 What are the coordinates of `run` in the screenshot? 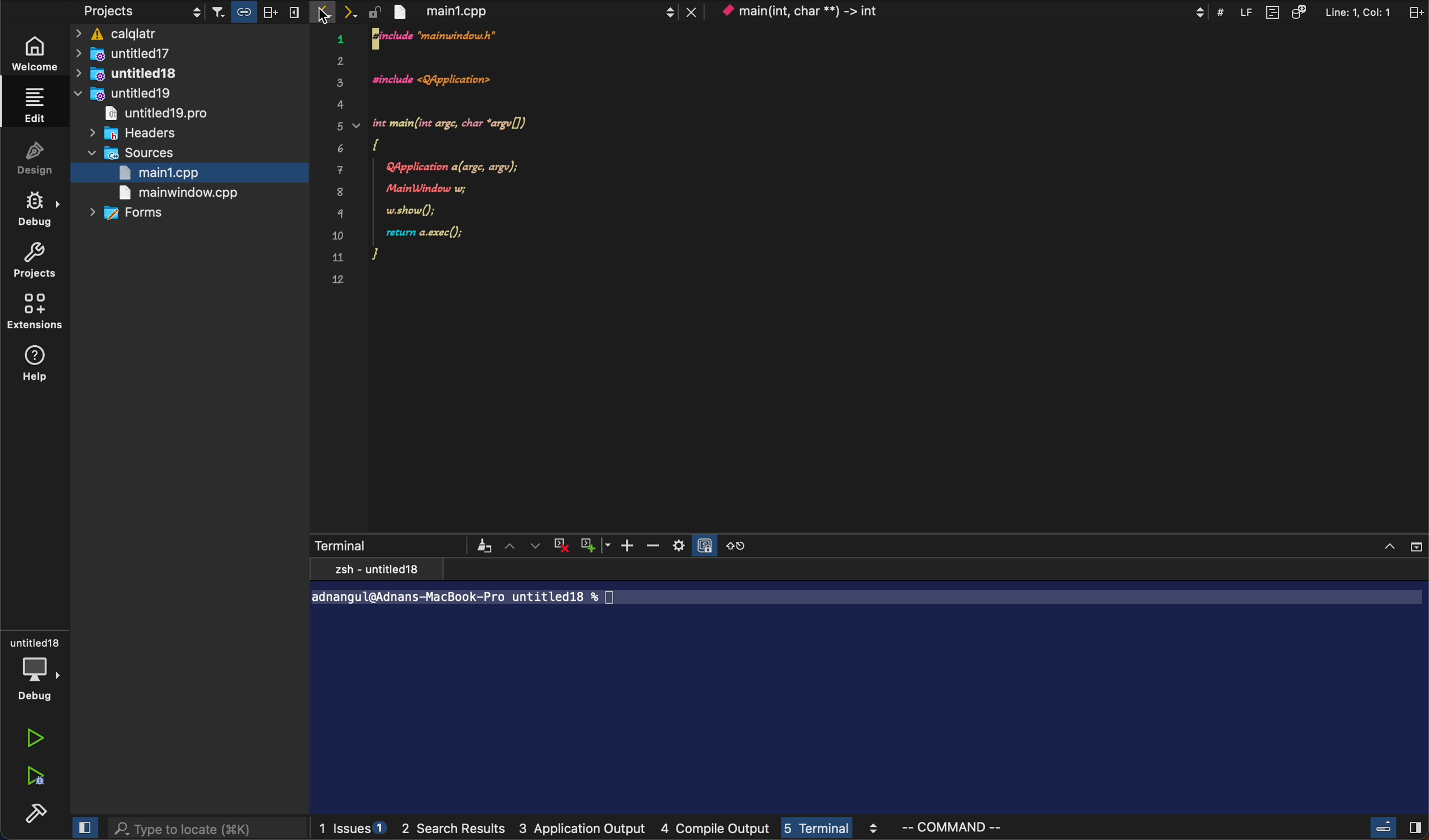 It's located at (38, 737).